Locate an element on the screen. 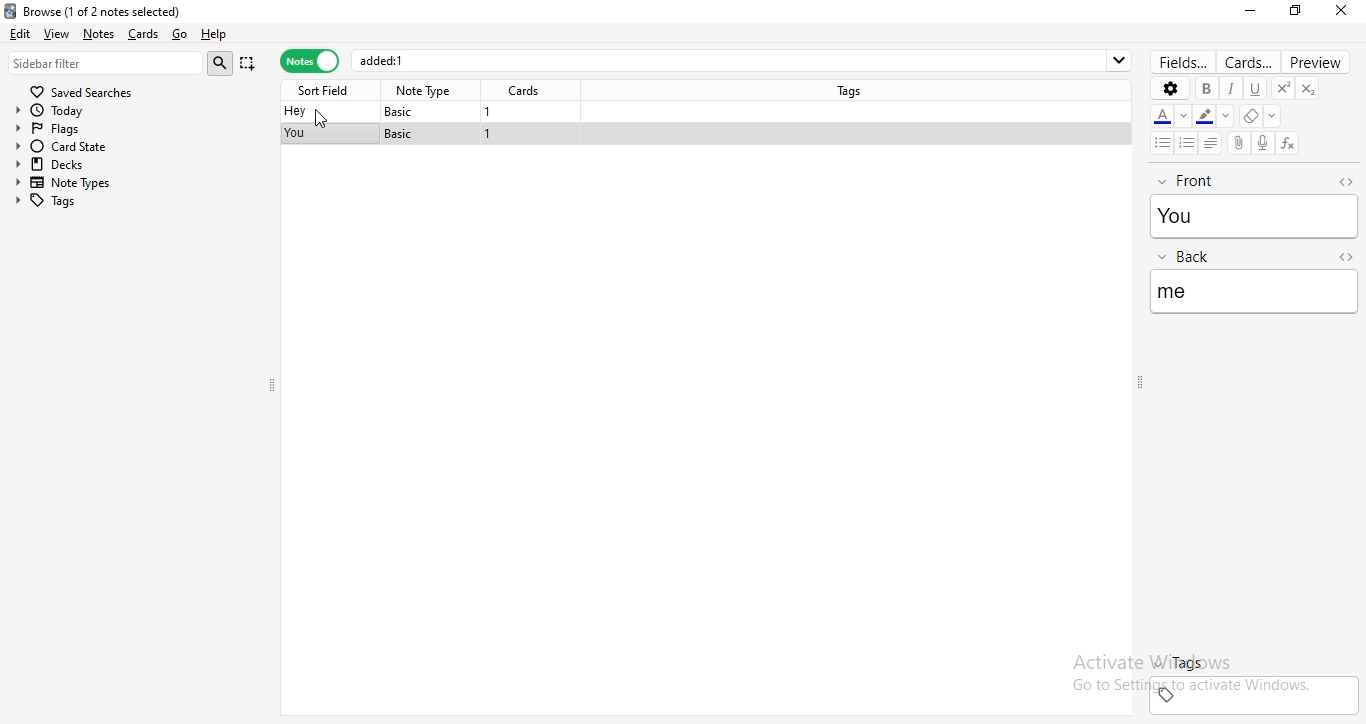 The width and height of the screenshot is (1366, 724). tags is located at coordinates (1257, 690).